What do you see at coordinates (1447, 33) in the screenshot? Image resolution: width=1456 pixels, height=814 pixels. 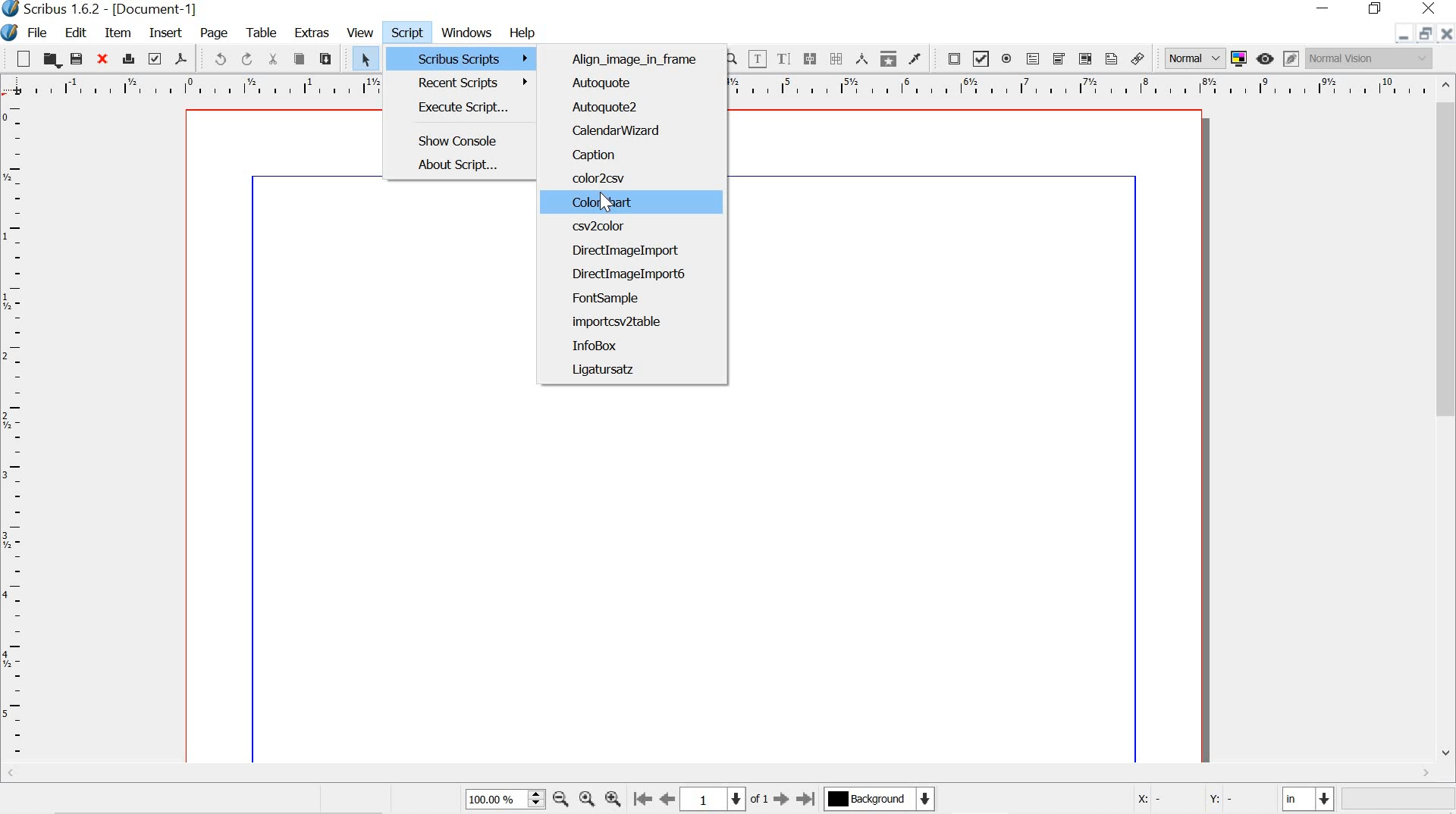 I see `close document` at bounding box center [1447, 33].